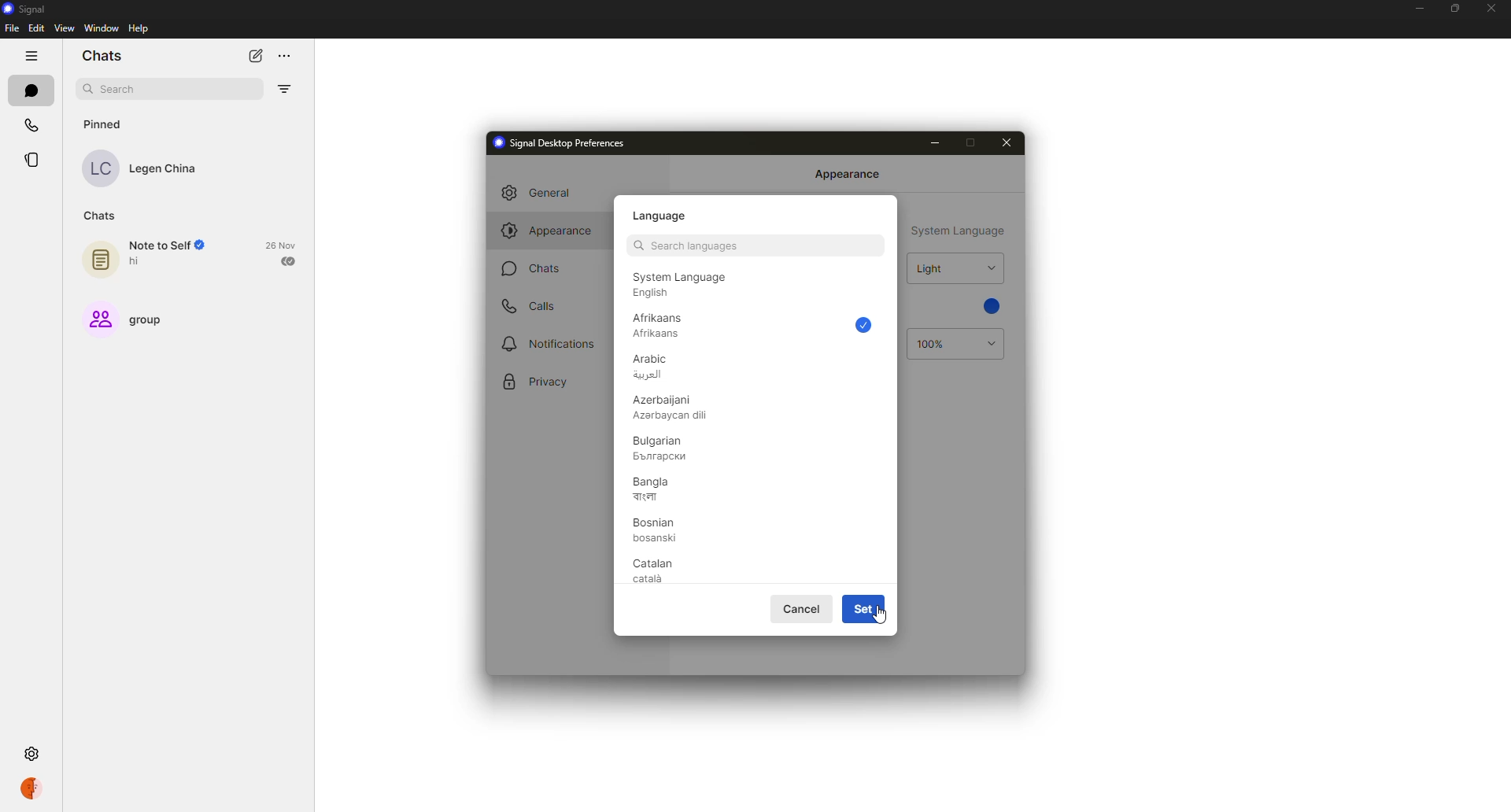 Image resolution: width=1511 pixels, height=812 pixels. I want to click on bulgarian, so click(663, 448).